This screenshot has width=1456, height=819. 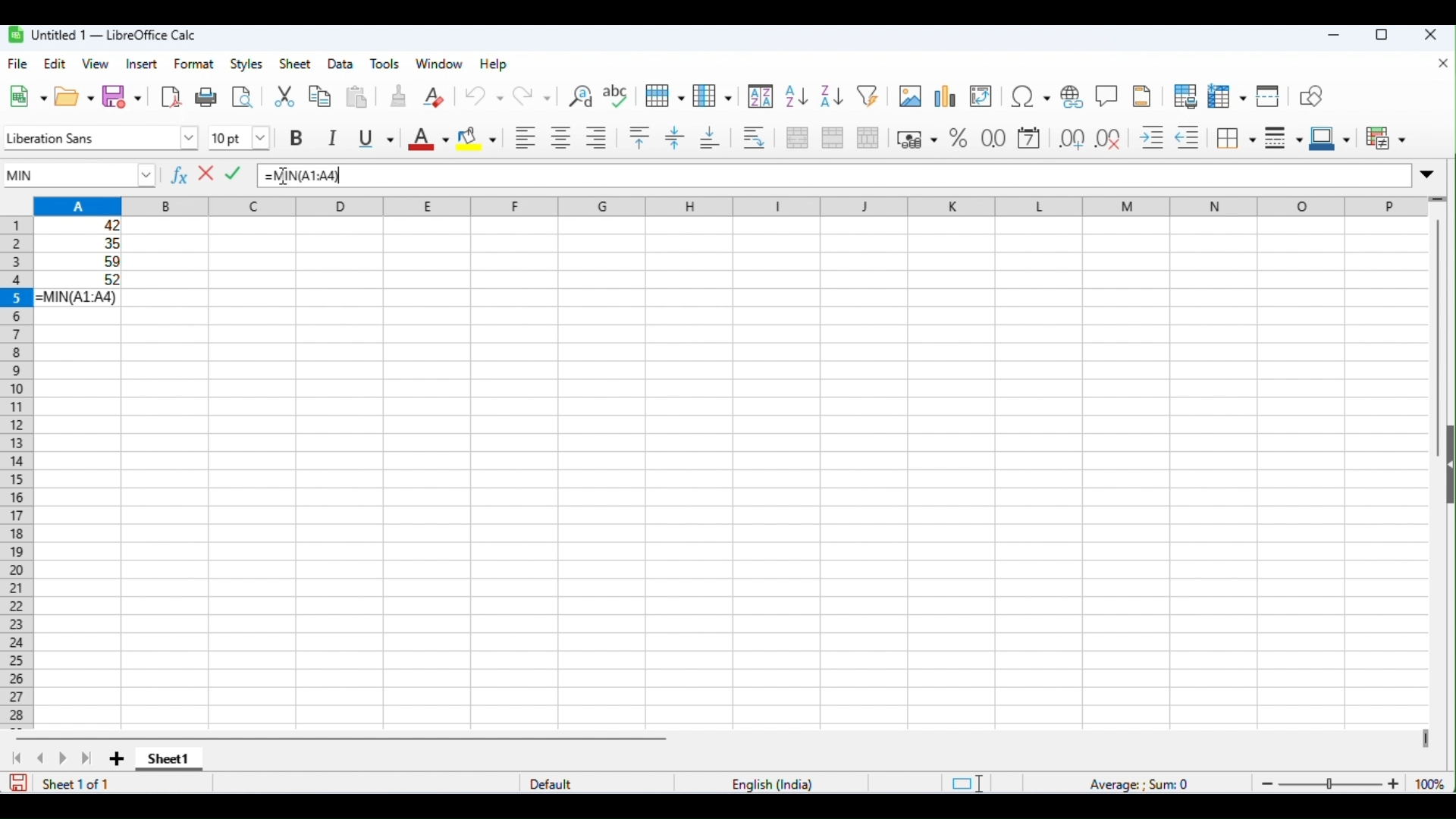 What do you see at coordinates (88, 760) in the screenshot?
I see `last sheet` at bounding box center [88, 760].